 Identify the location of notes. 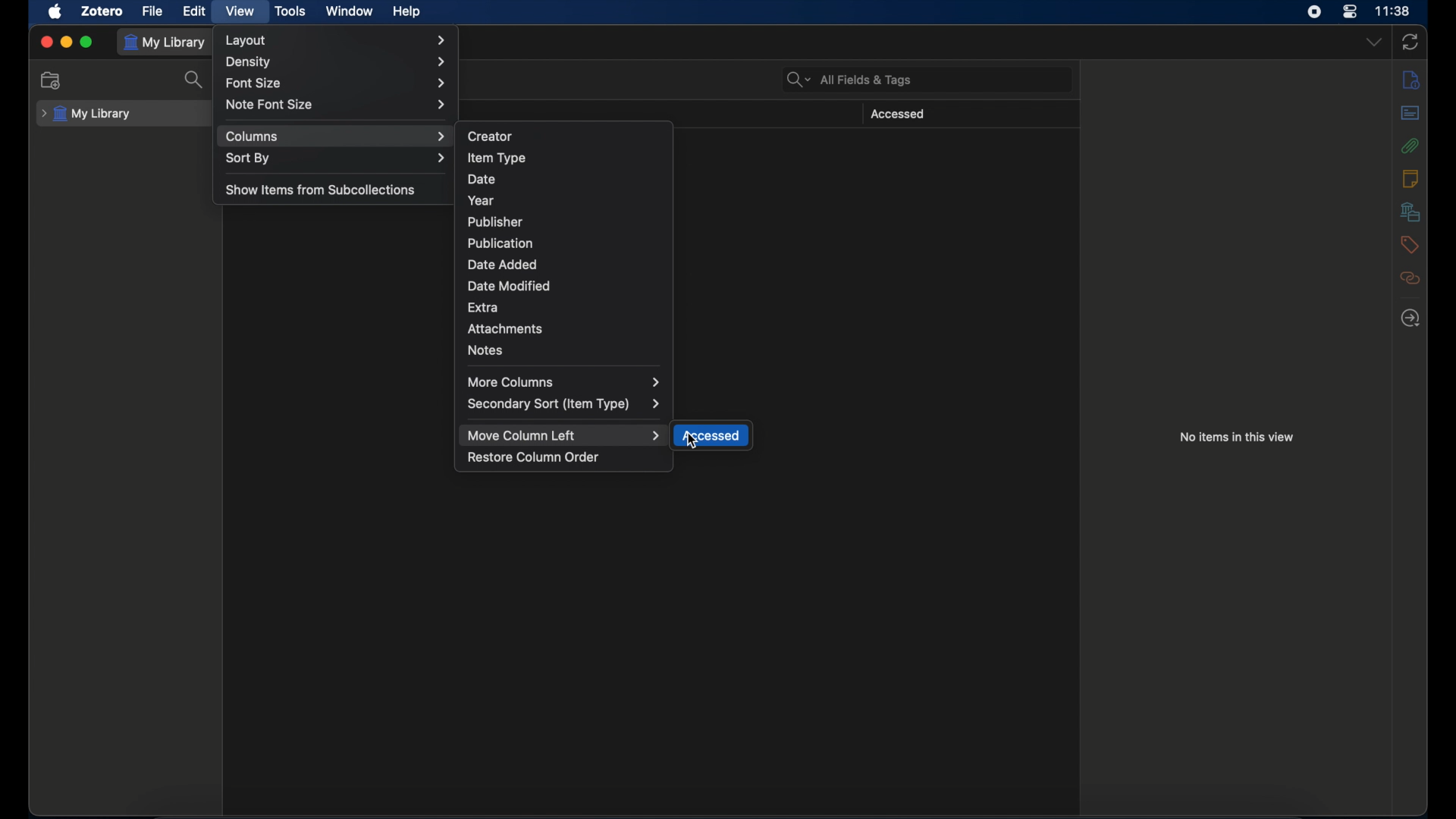
(1412, 178).